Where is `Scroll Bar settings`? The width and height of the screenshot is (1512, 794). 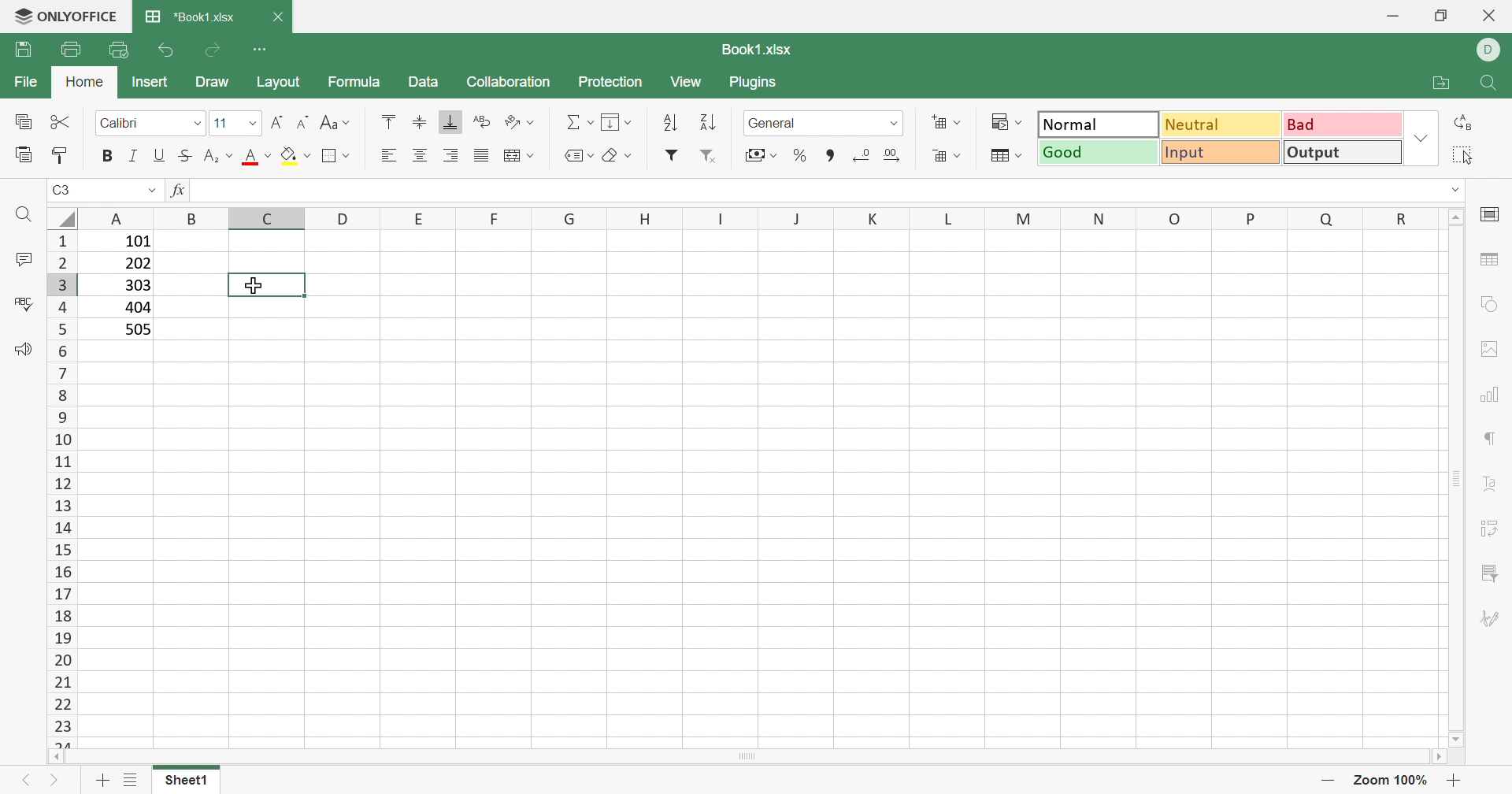 Scroll Bar settings is located at coordinates (1458, 477).